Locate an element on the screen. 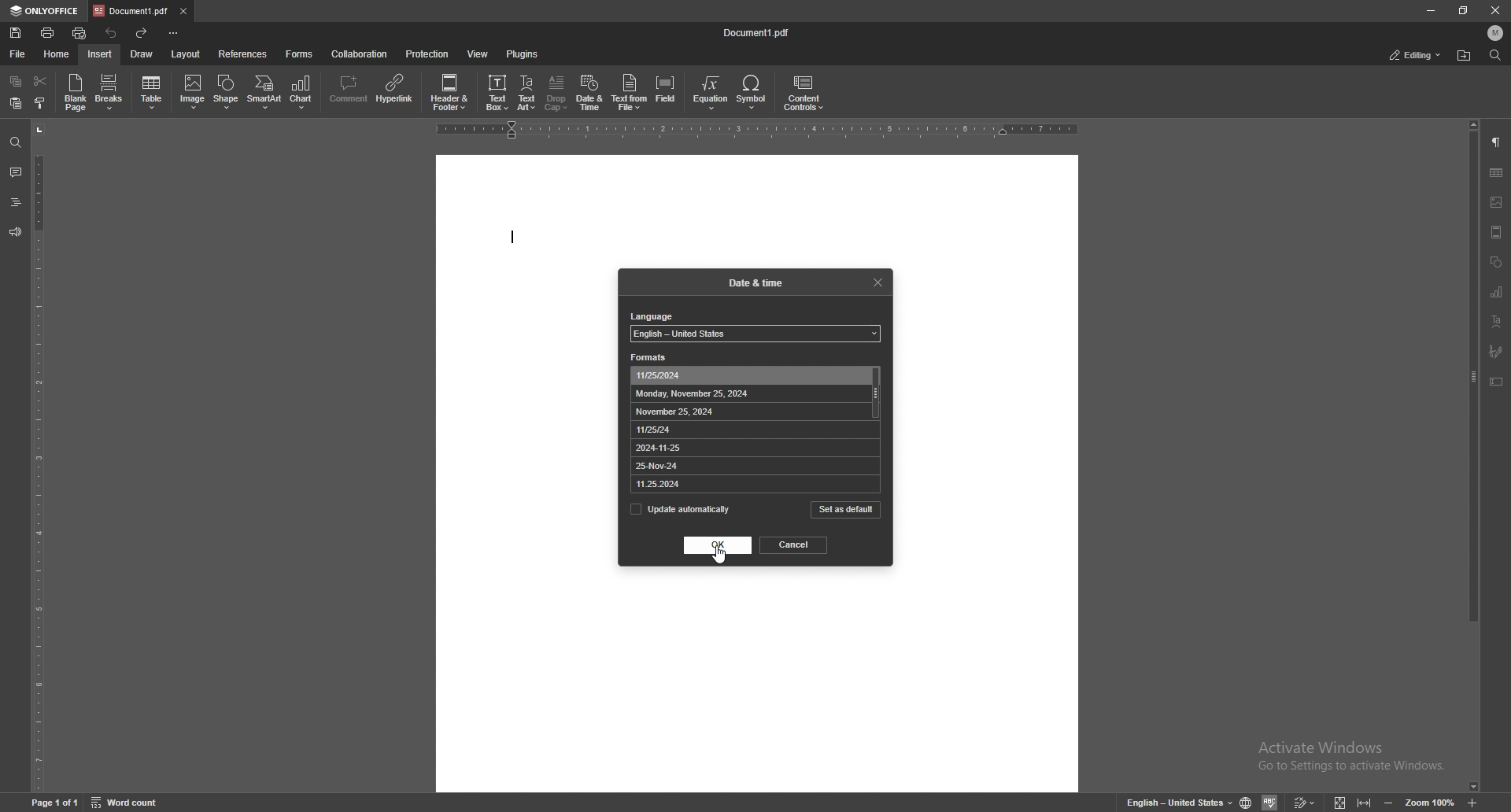 The image size is (1511, 812). horizontal scale is located at coordinates (758, 134).